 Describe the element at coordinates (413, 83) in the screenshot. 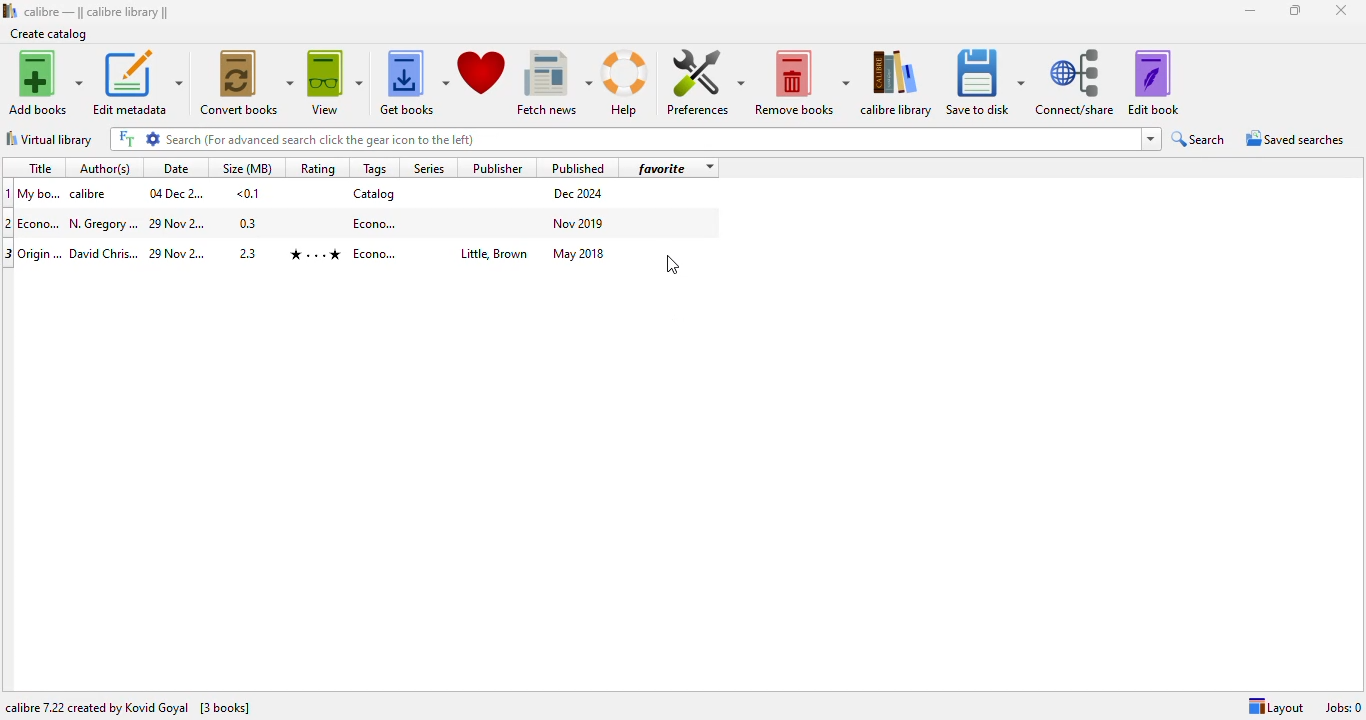

I see `get books` at that location.